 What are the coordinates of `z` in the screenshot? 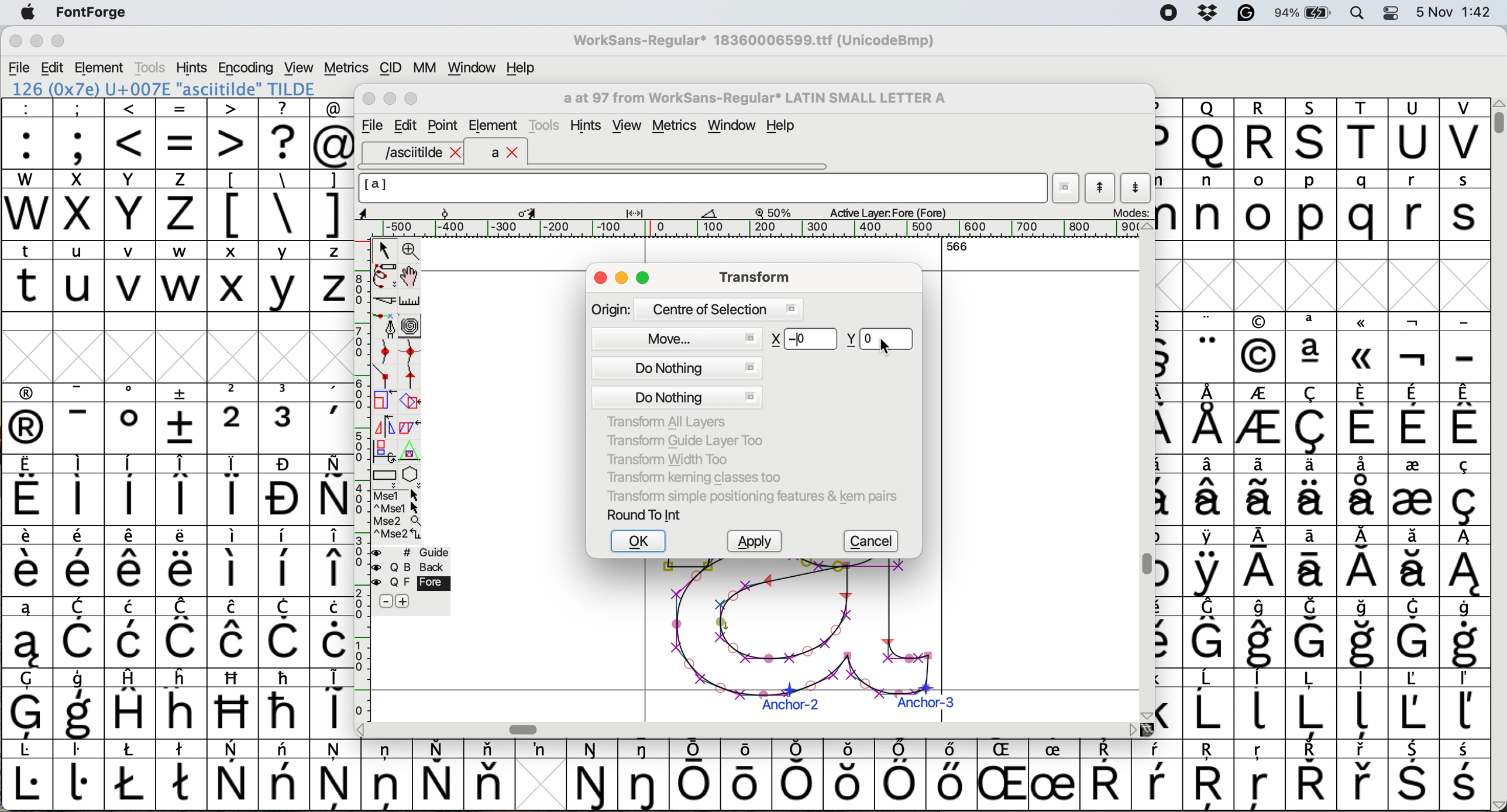 It's located at (332, 276).